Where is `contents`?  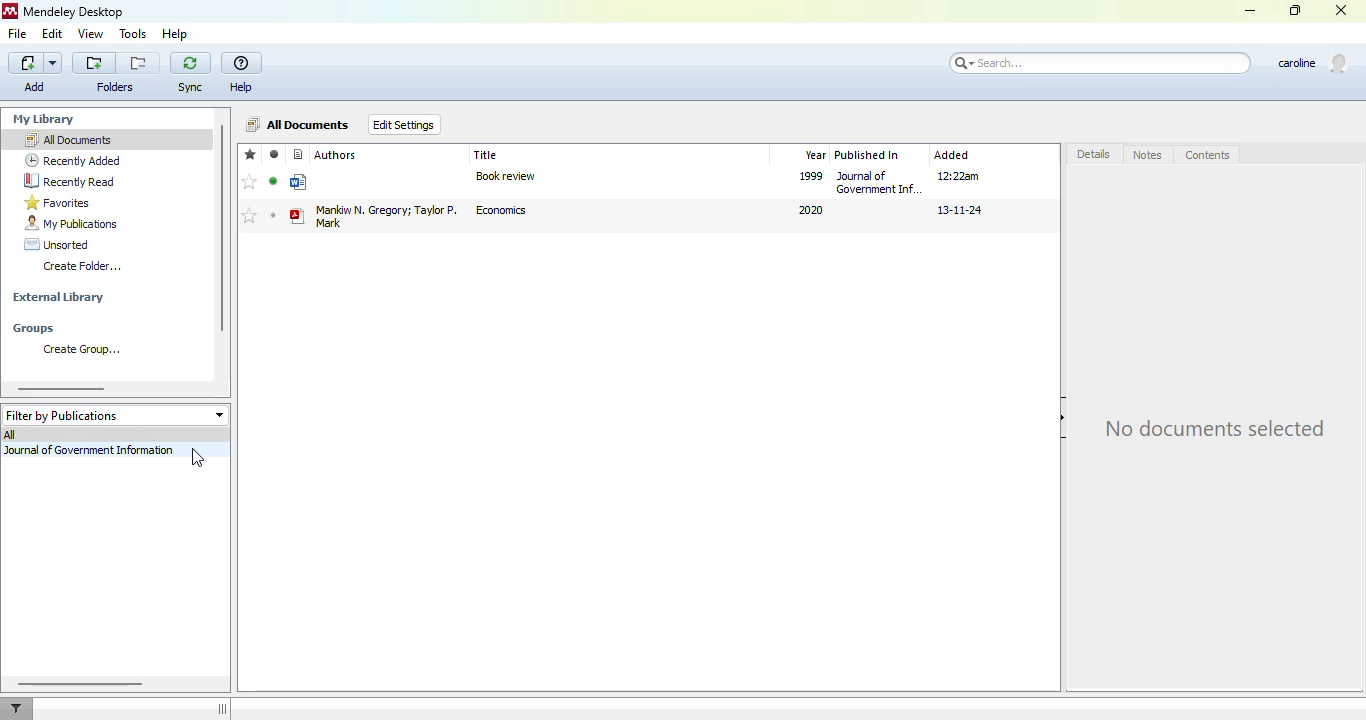 contents is located at coordinates (1208, 155).